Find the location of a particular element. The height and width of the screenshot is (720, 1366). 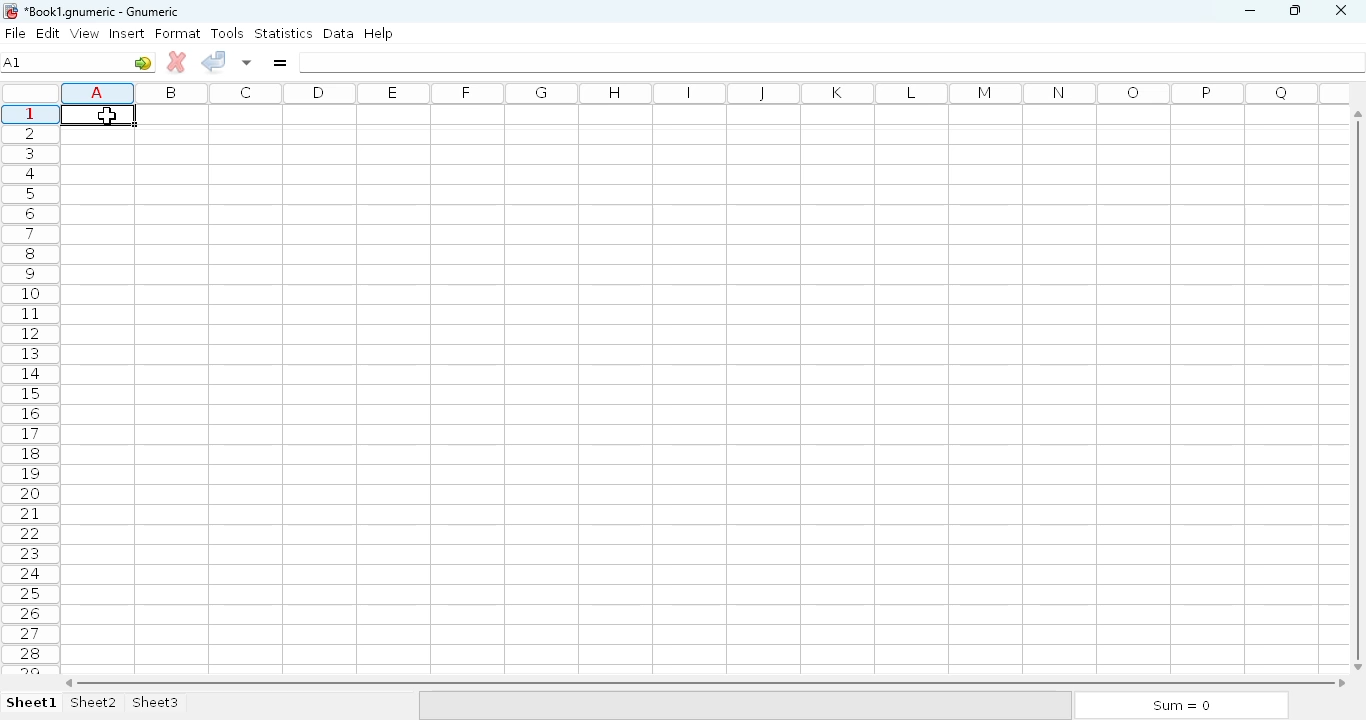

column is located at coordinates (699, 93).